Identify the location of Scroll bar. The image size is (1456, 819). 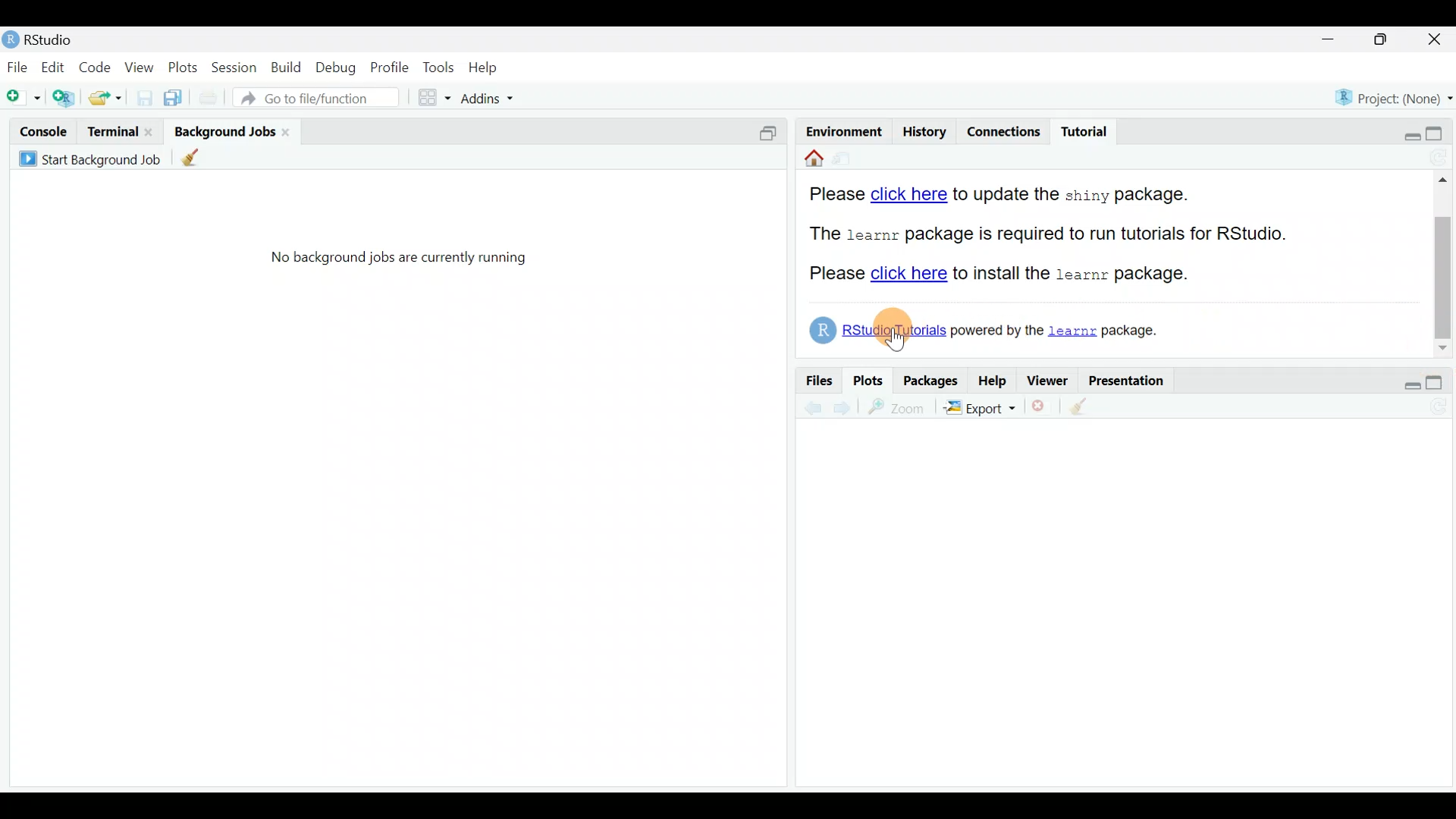
(1445, 262).